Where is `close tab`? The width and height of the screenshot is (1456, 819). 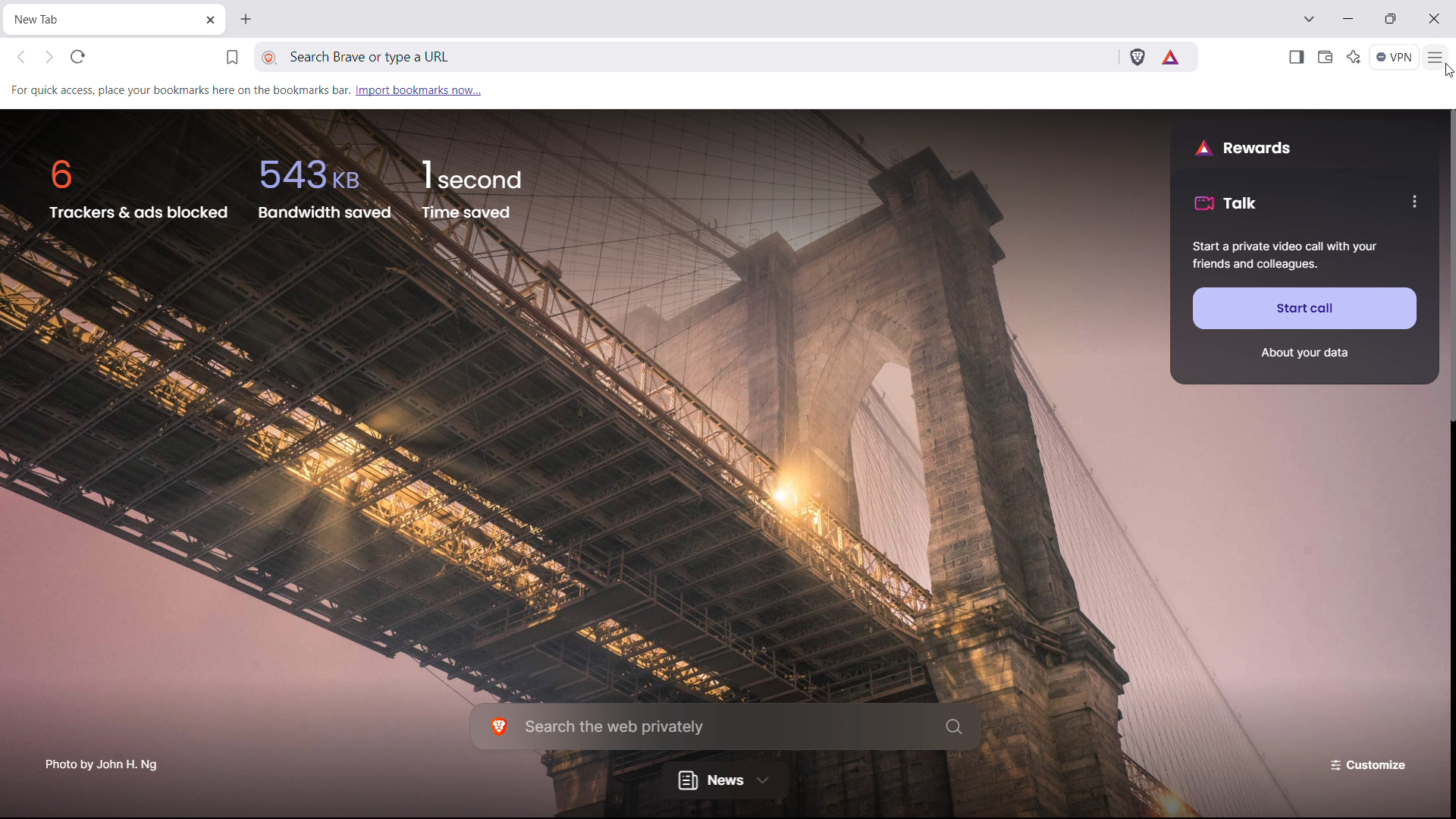 close tab is located at coordinates (209, 20).